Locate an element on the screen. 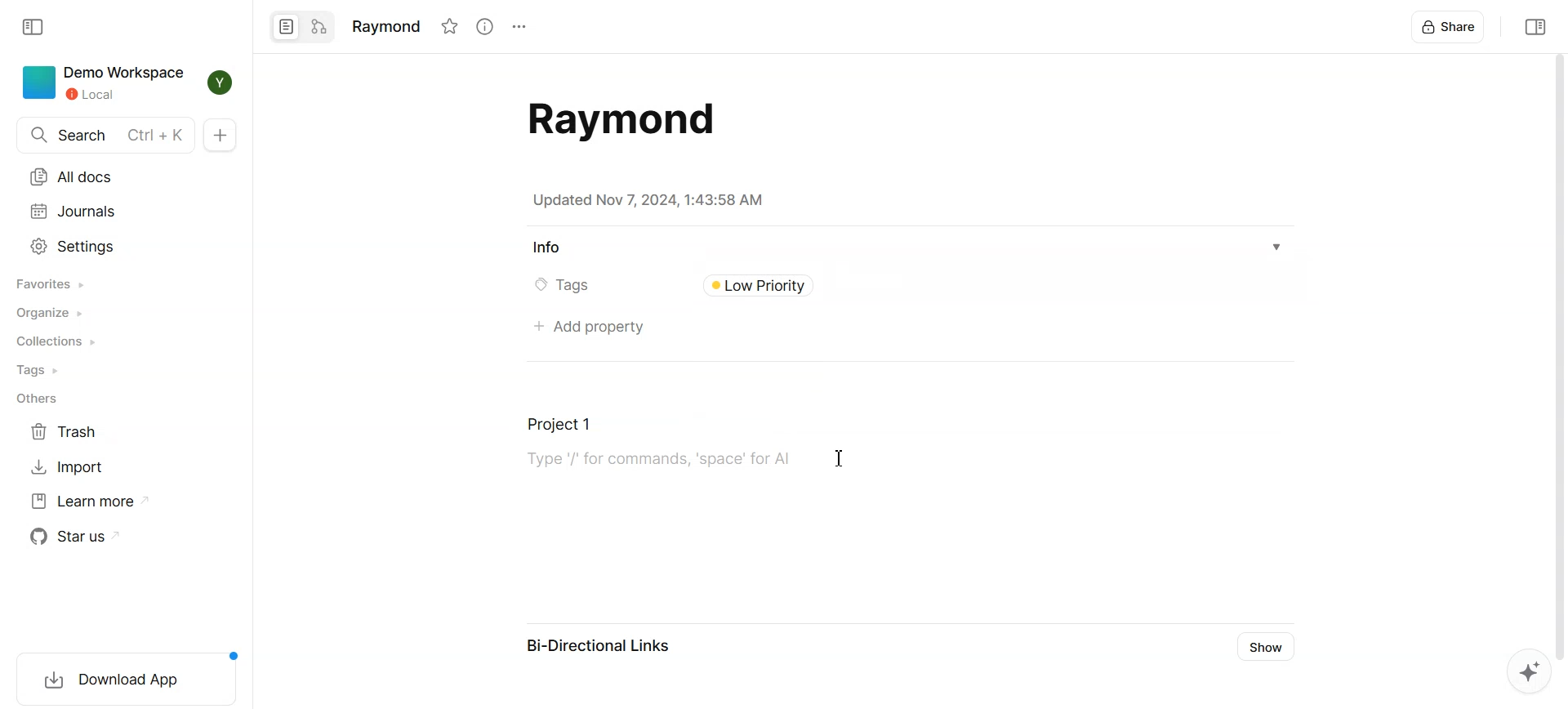 This screenshot has height=709, width=1568. Edgeless is located at coordinates (319, 27).